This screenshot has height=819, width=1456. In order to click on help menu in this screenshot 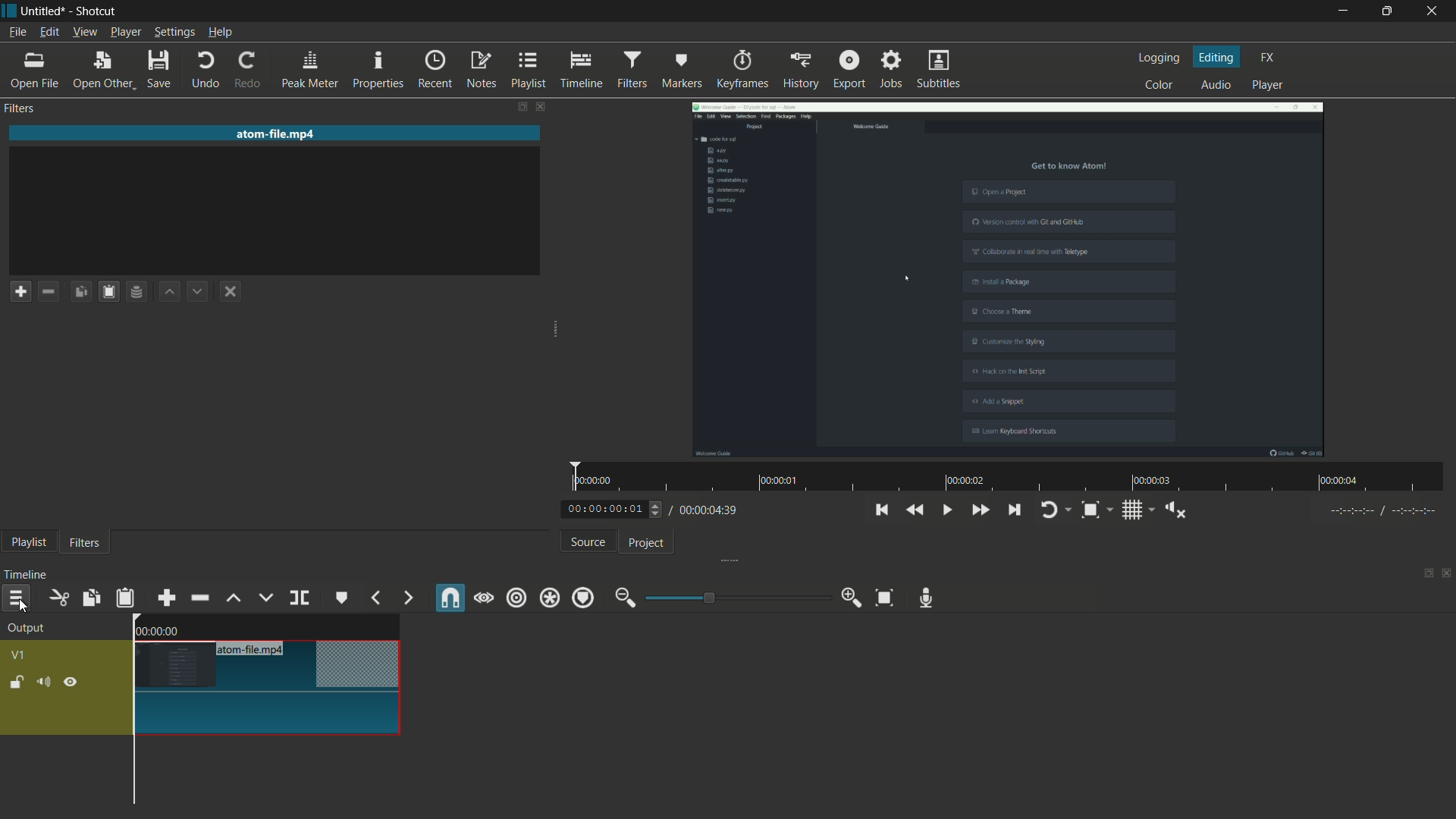, I will do `click(219, 34)`.